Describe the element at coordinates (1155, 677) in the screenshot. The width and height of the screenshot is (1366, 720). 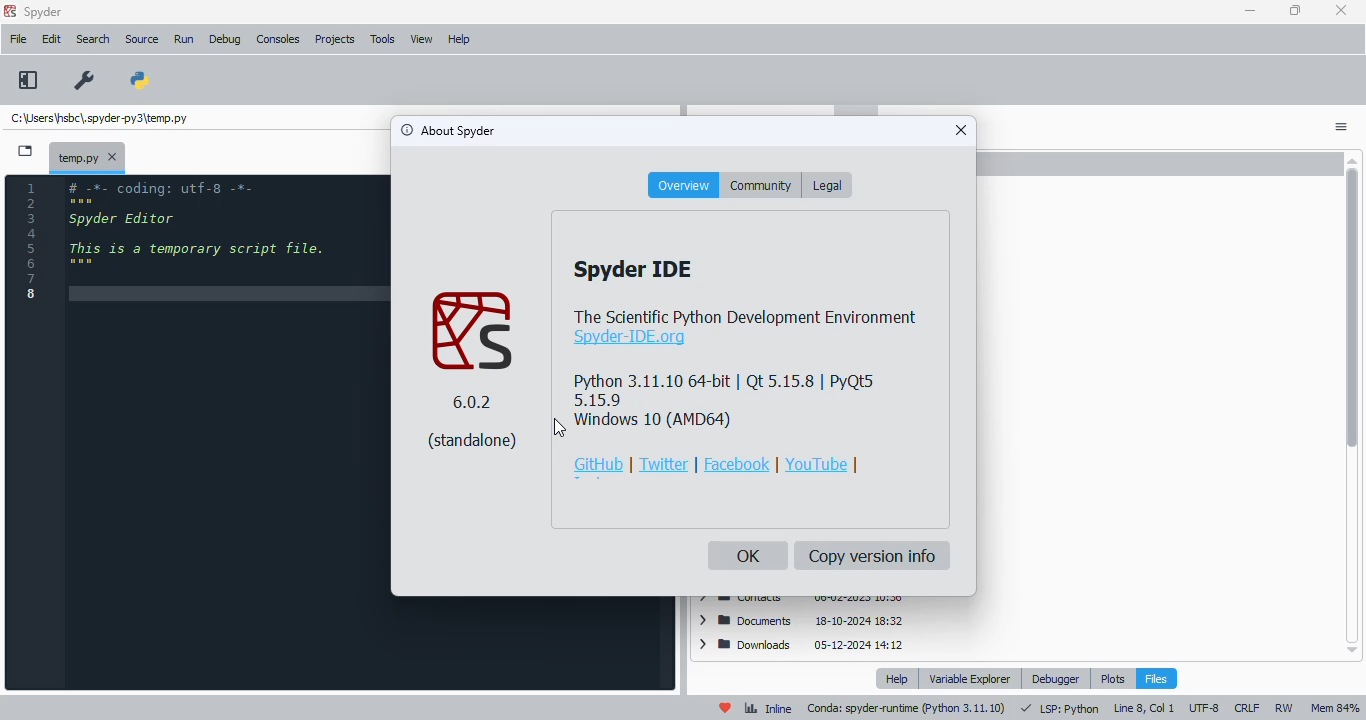
I see `files` at that location.